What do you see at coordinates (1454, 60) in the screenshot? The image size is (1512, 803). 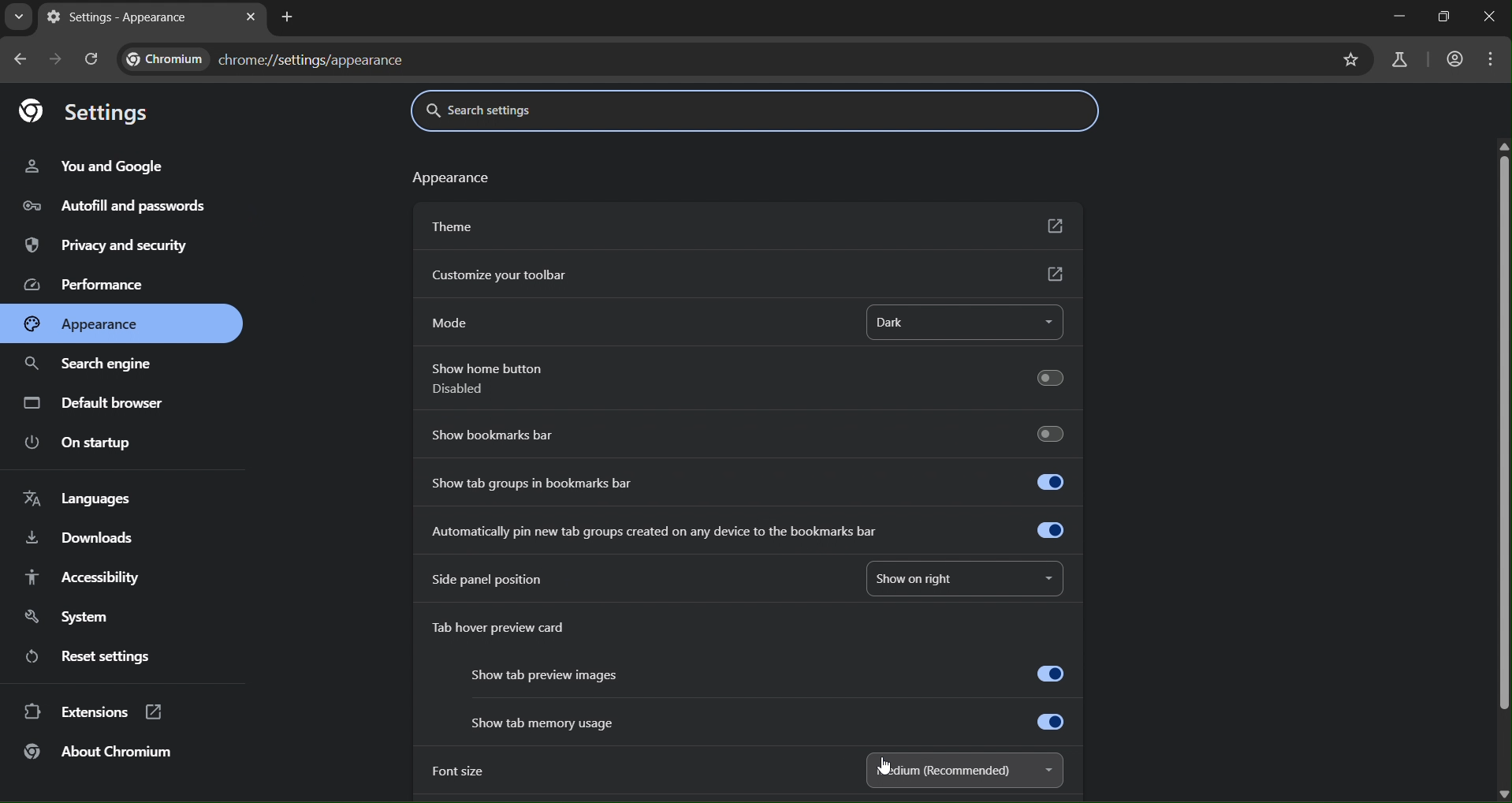 I see `account` at bounding box center [1454, 60].